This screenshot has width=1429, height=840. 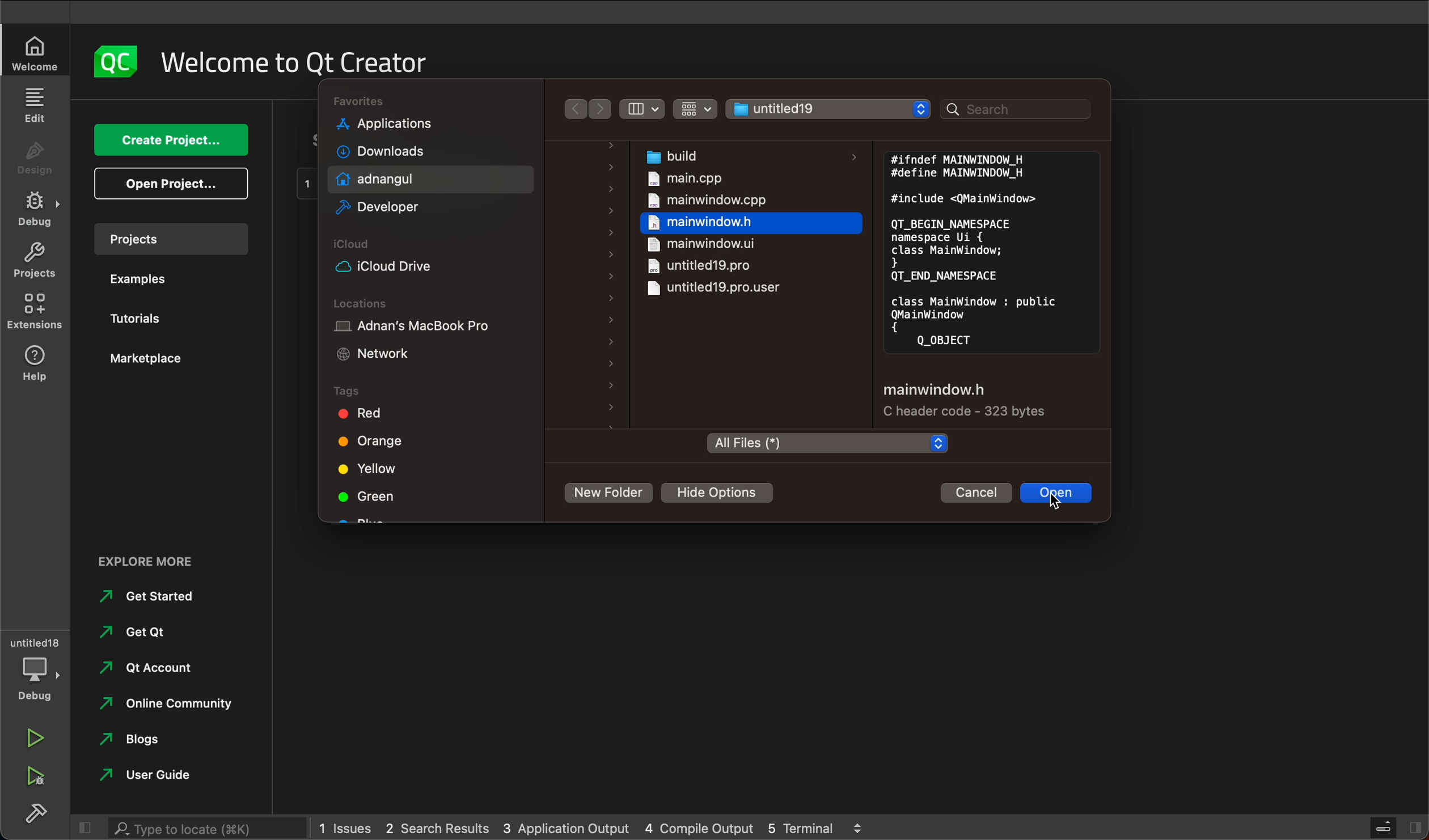 I want to click on file settings, so click(x=984, y=401).